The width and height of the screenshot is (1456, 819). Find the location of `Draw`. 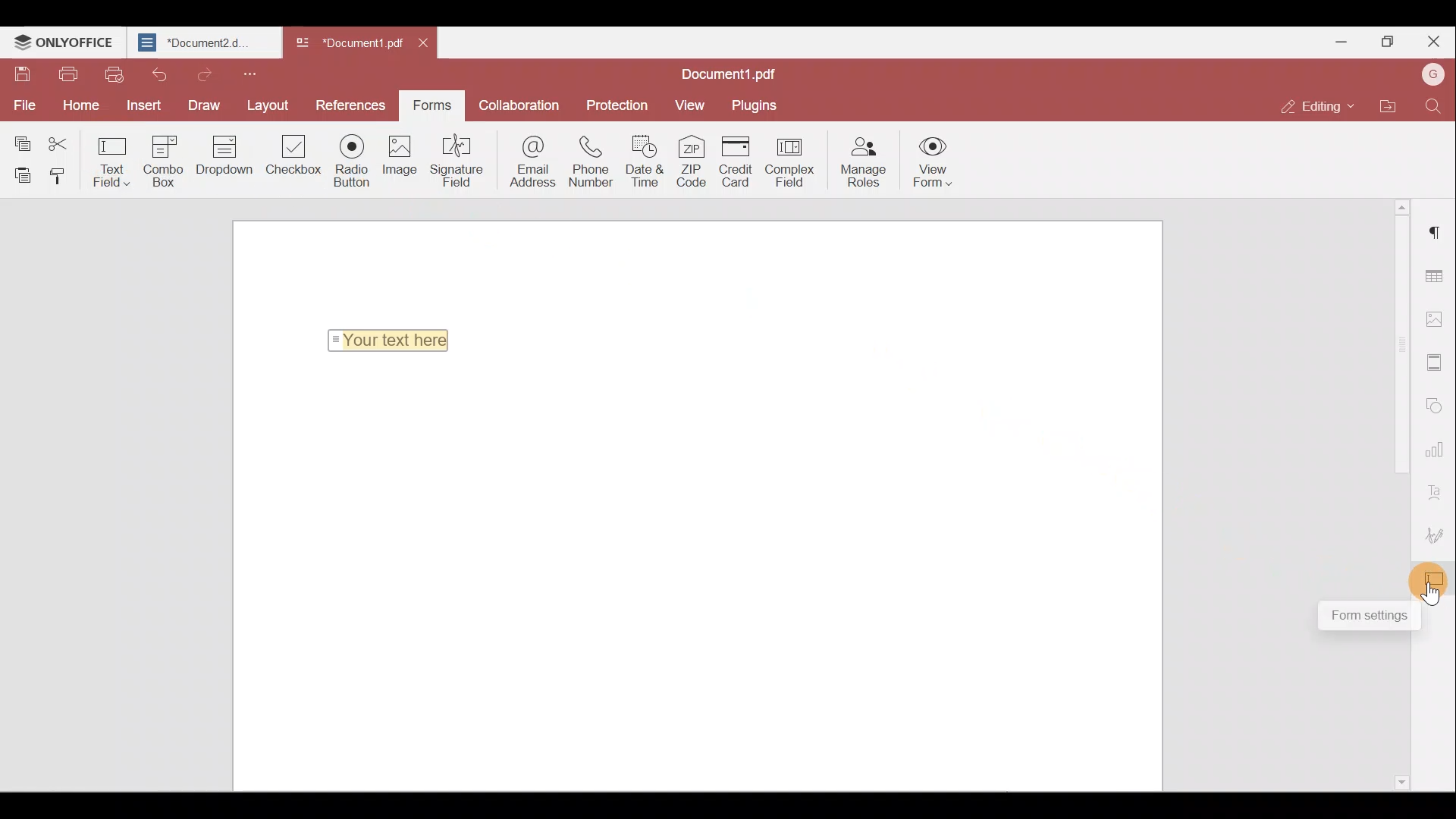

Draw is located at coordinates (199, 105).